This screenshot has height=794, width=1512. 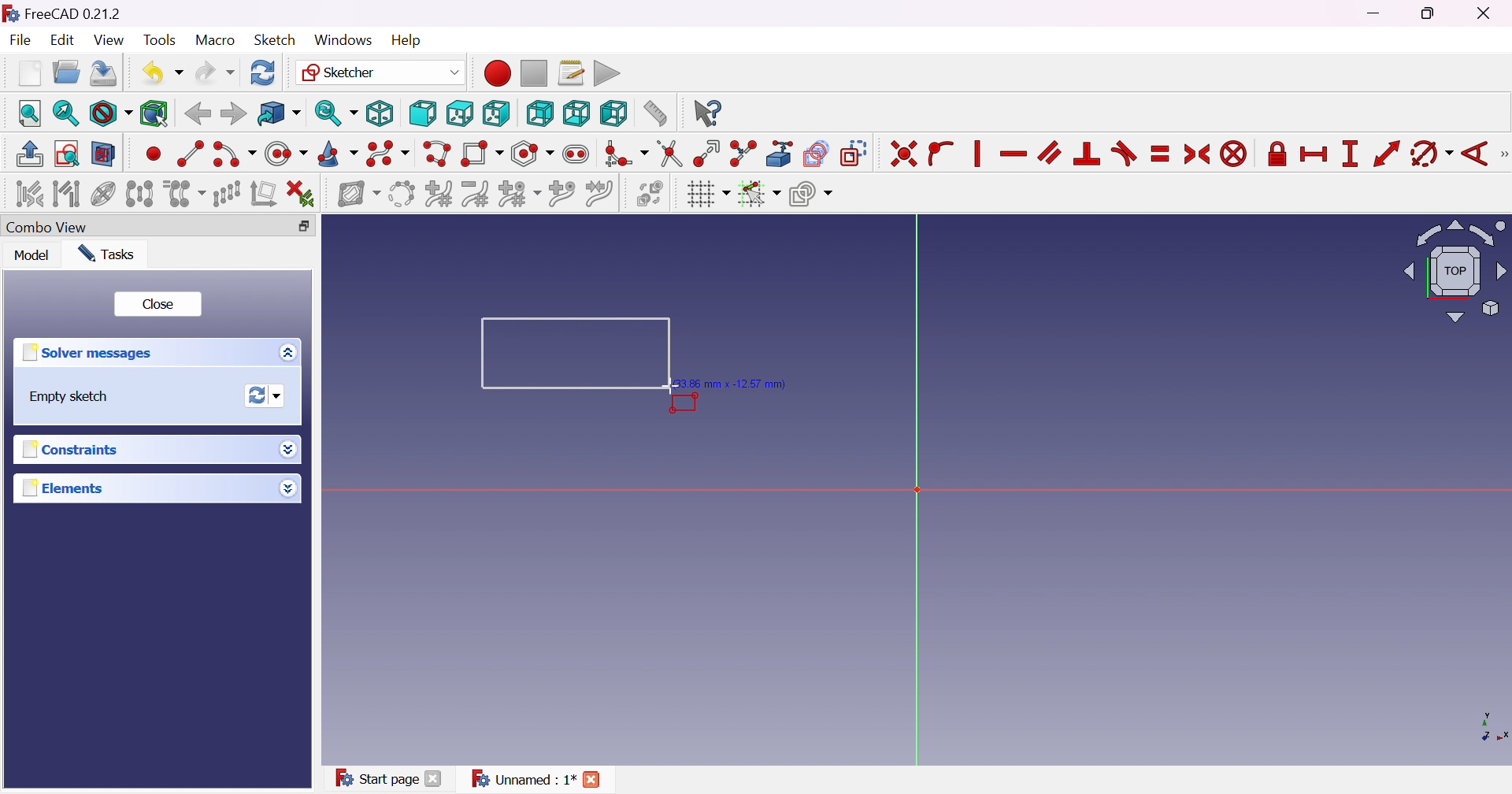 What do you see at coordinates (400, 195) in the screenshot?
I see `Convert geometry to B-spline` at bounding box center [400, 195].